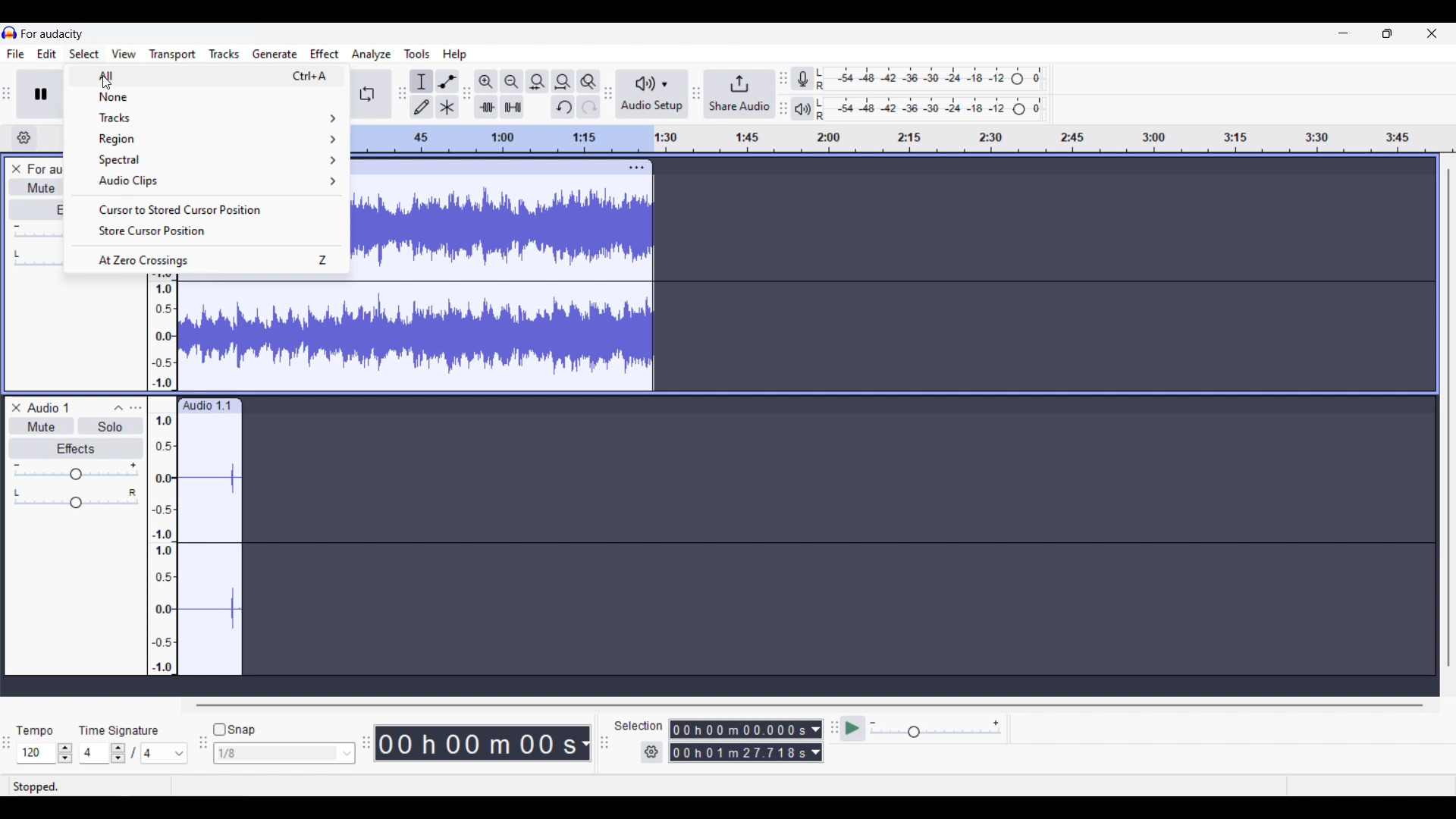 The image size is (1456, 819). What do you see at coordinates (162, 335) in the screenshot?
I see `amplitude` at bounding box center [162, 335].